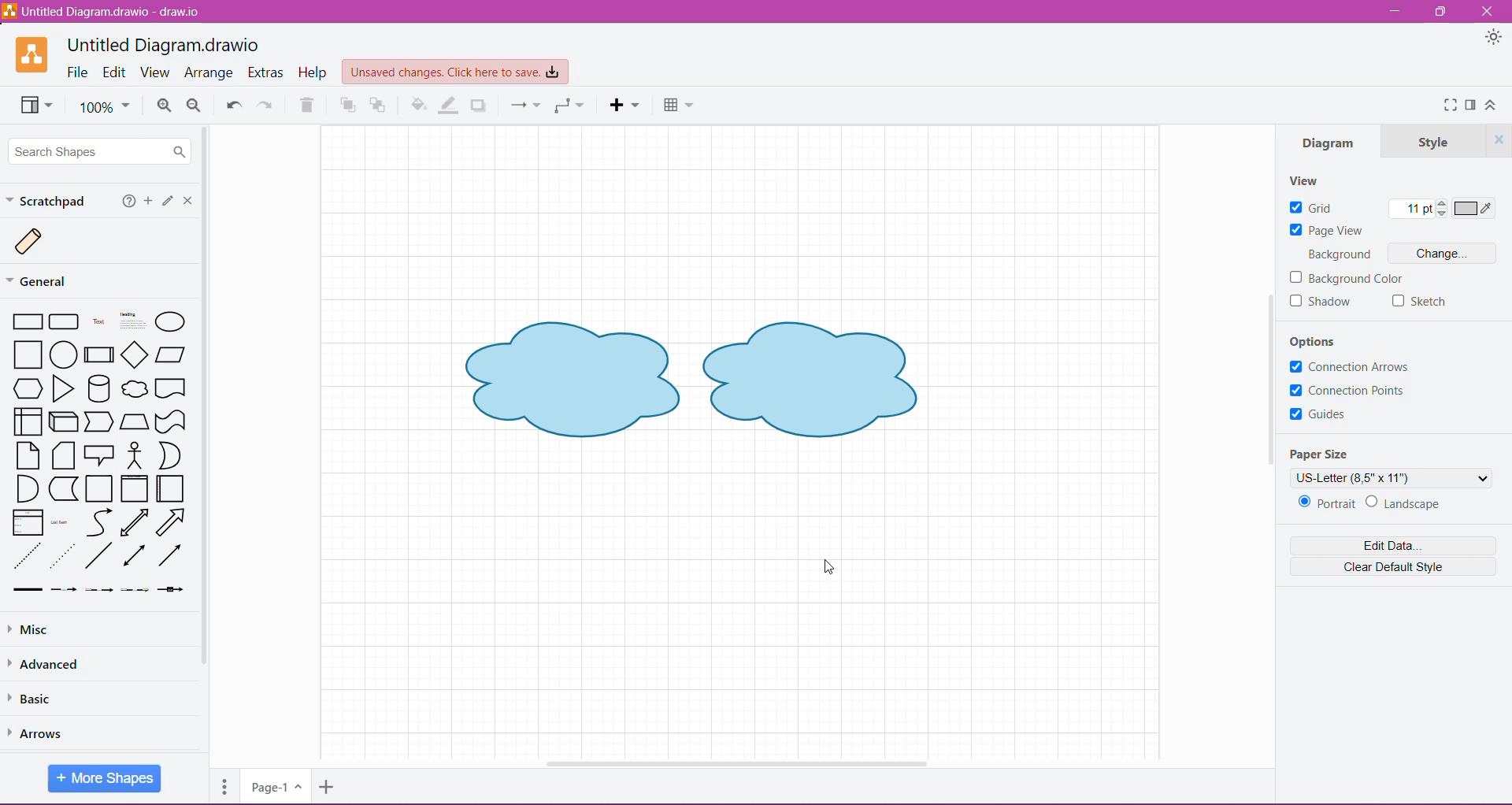 The width and height of the screenshot is (1512, 805). Describe the element at coordinates (1474, 210) in the screenshot. I see `Set the Grid color` at that location.